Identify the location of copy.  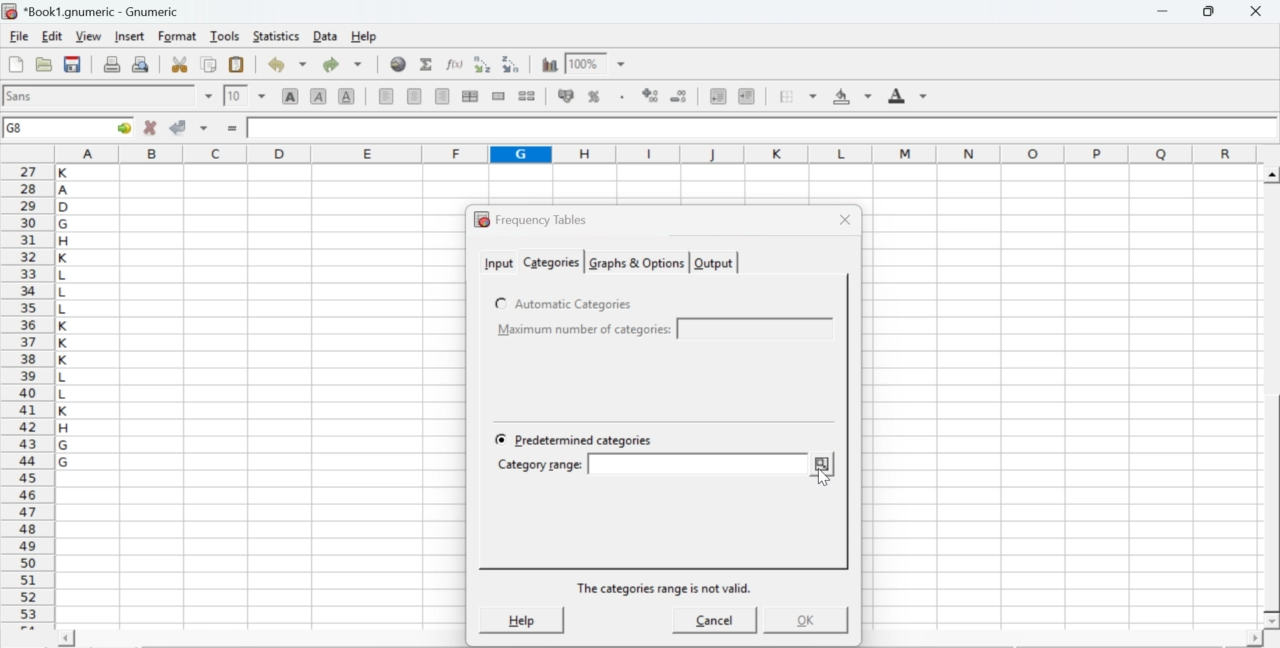
(210, 64).